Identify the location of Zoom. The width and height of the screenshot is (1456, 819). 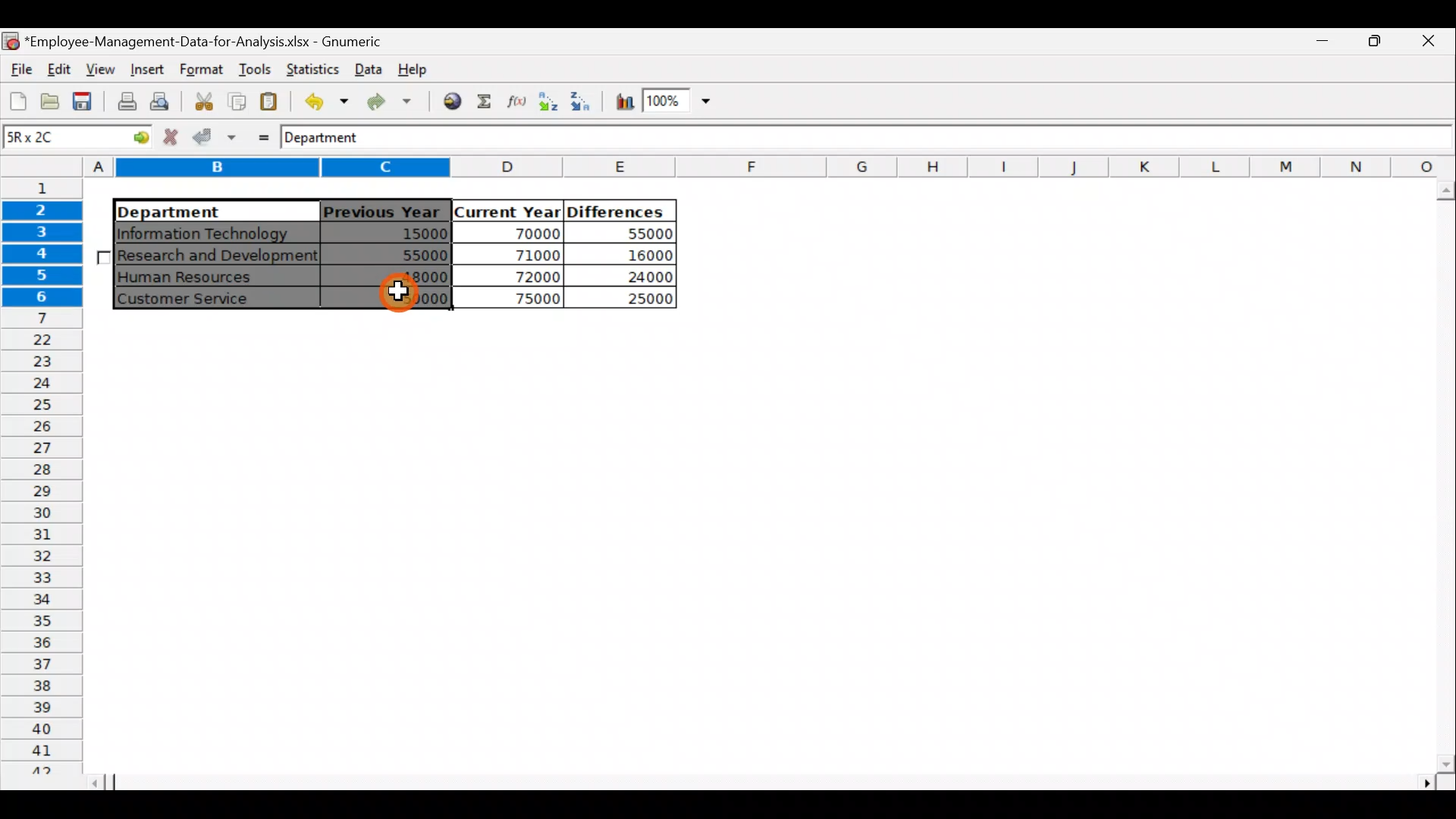
(676, 103).